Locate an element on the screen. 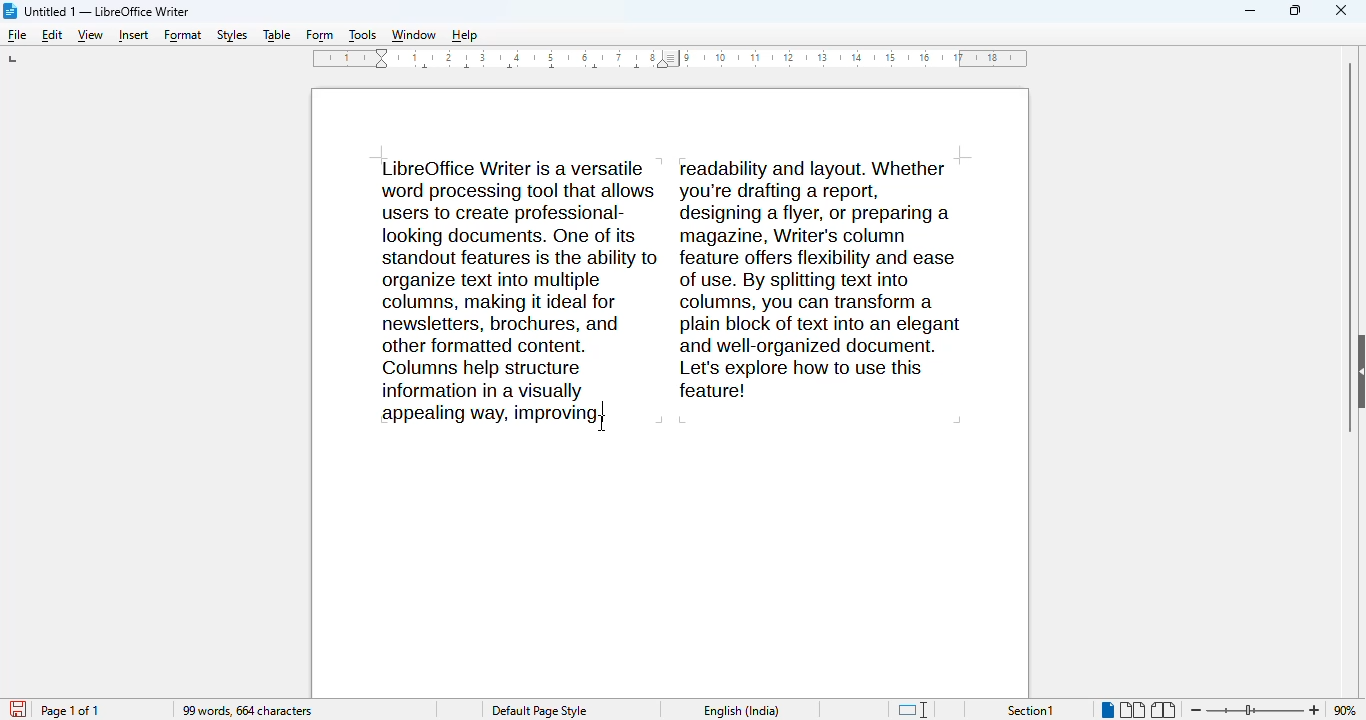 The image size is (1366, 720). cursor is located at coordinates (601, 423).